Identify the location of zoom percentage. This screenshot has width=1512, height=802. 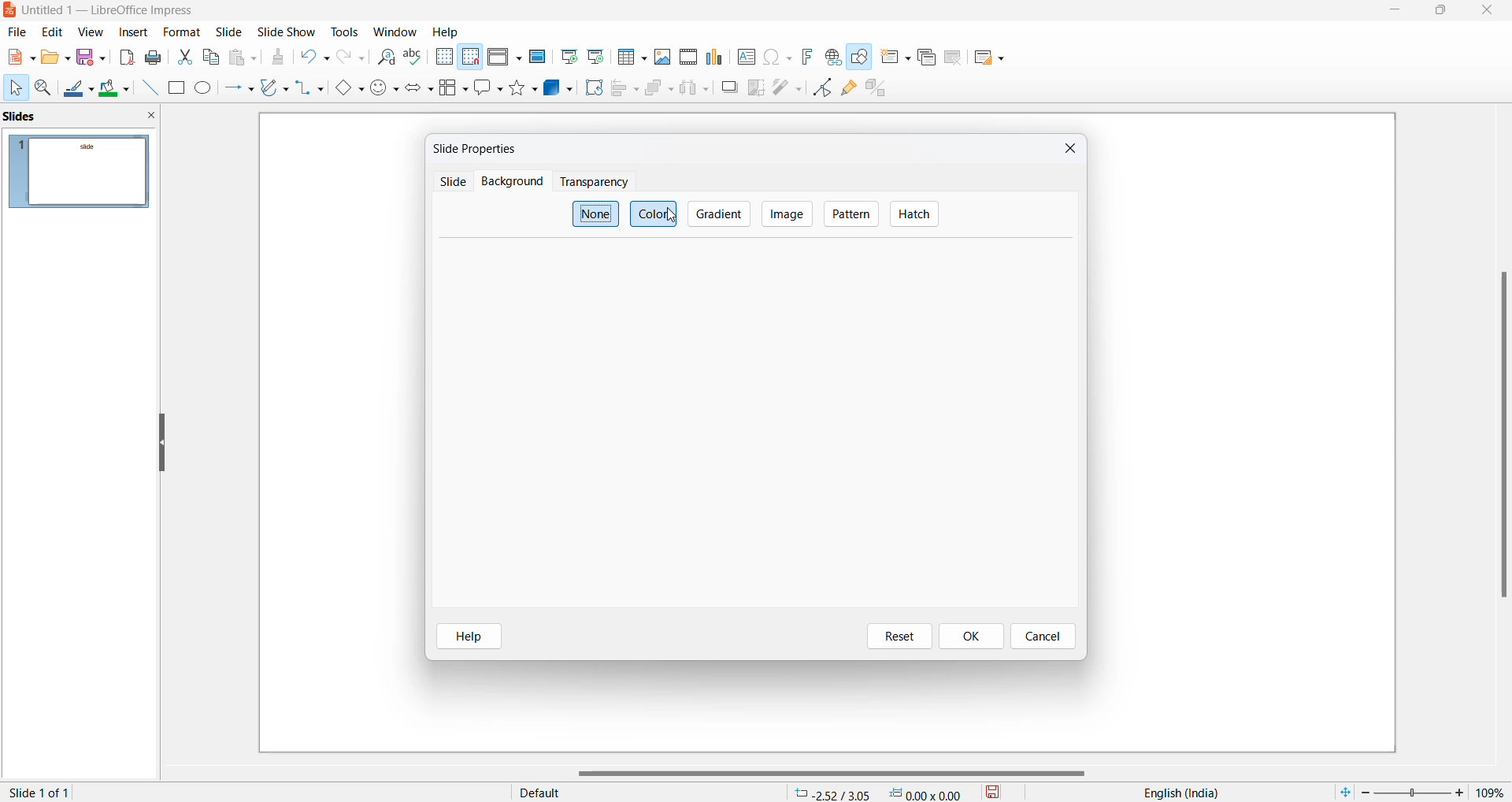
(1492, 792).